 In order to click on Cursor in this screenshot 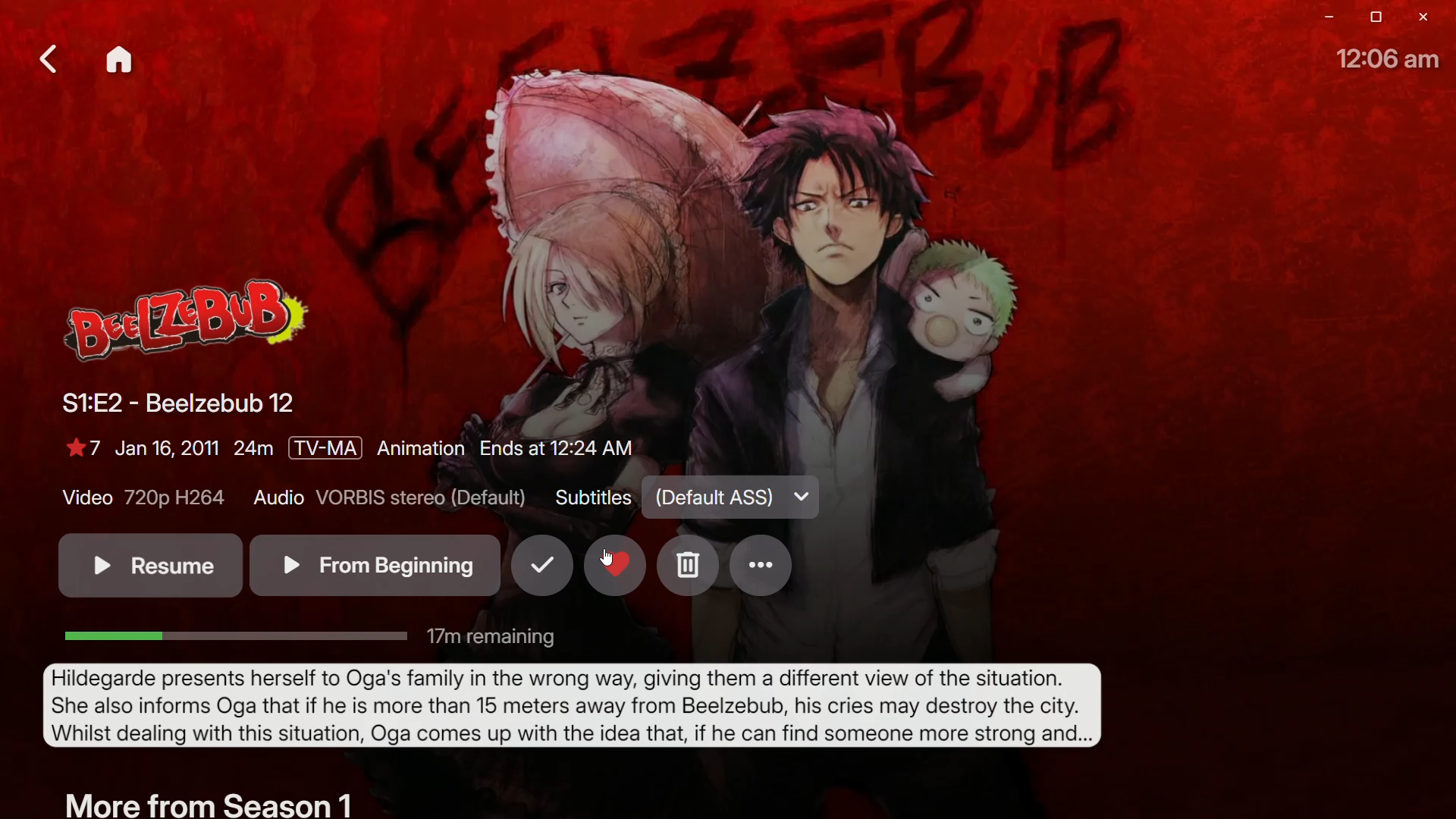, I will do `click(605, 555)`.